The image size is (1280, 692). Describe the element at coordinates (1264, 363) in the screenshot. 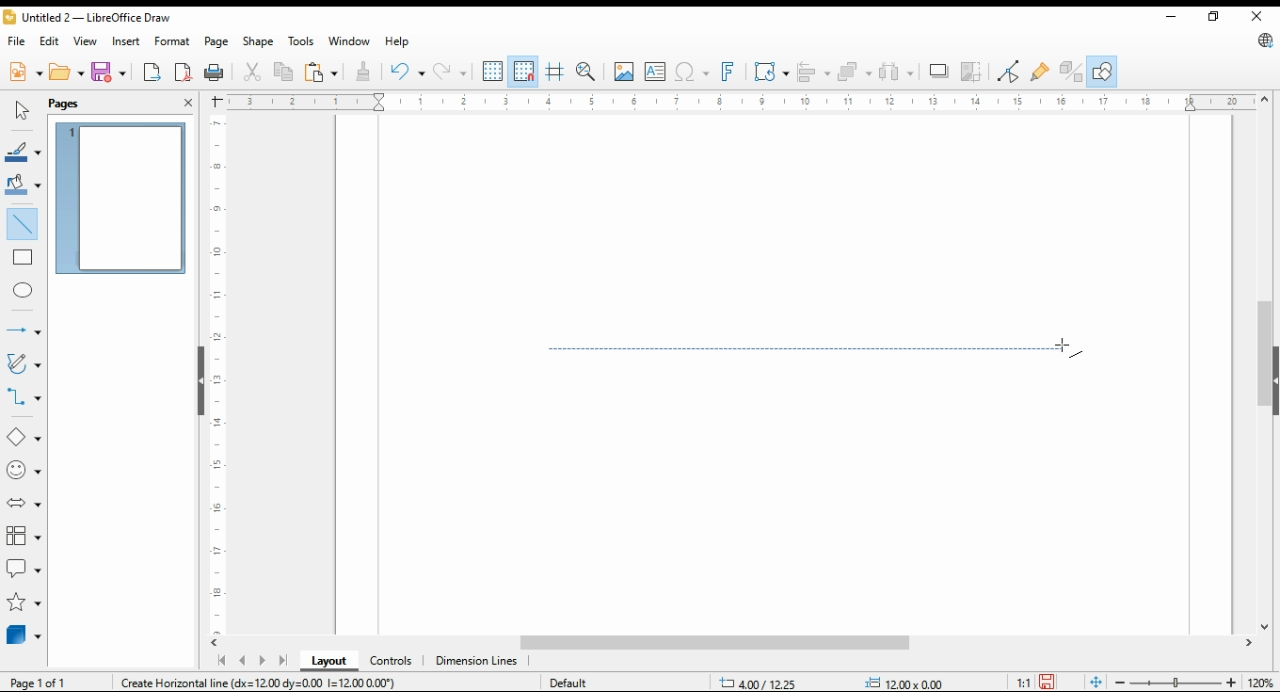

I see `scroll bar` at that location.